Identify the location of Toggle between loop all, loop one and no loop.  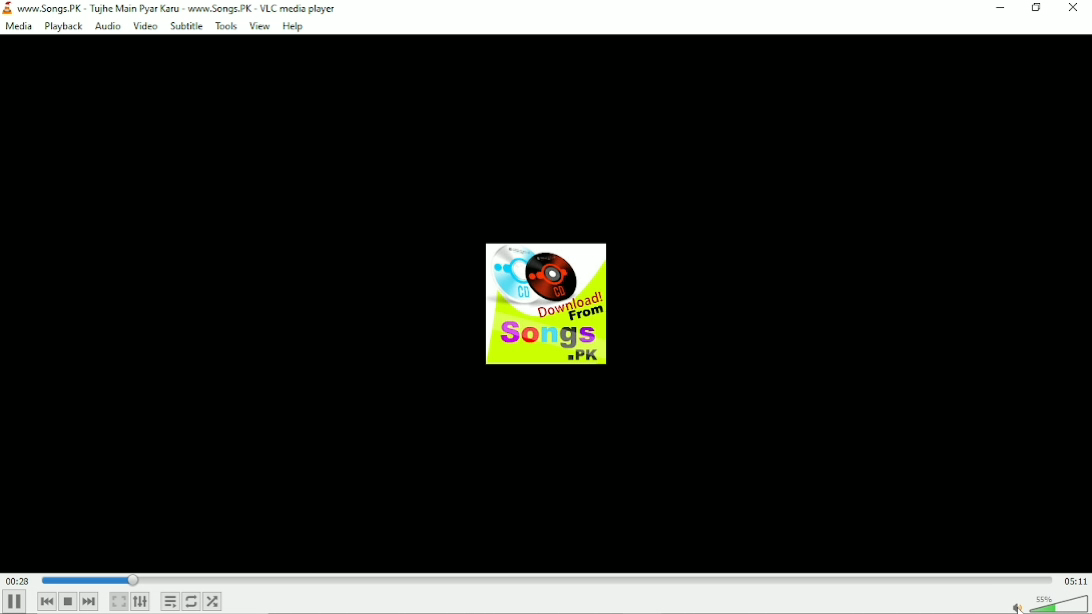
(191, 601).